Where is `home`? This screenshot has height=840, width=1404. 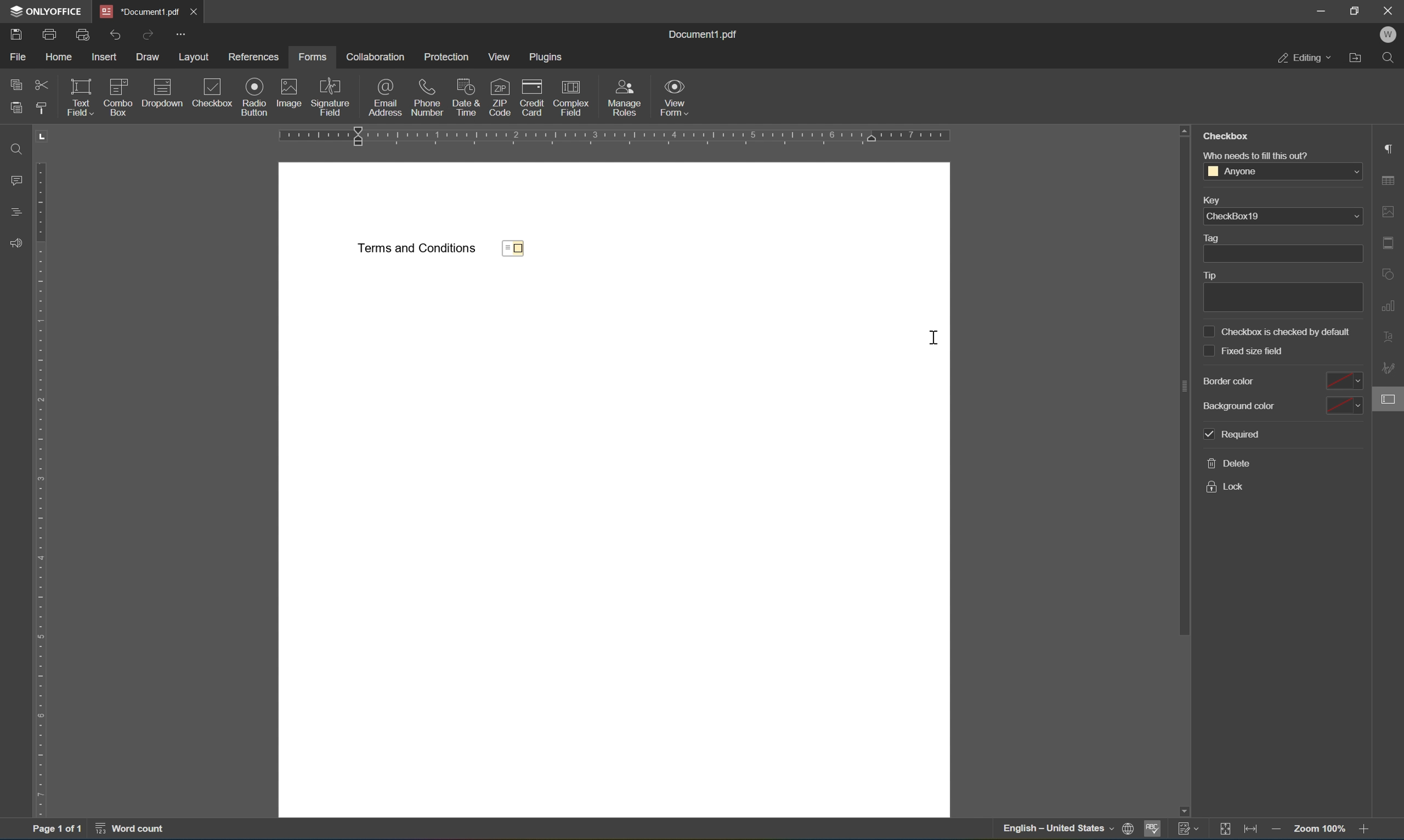 home is located at coordinates (59, 56).